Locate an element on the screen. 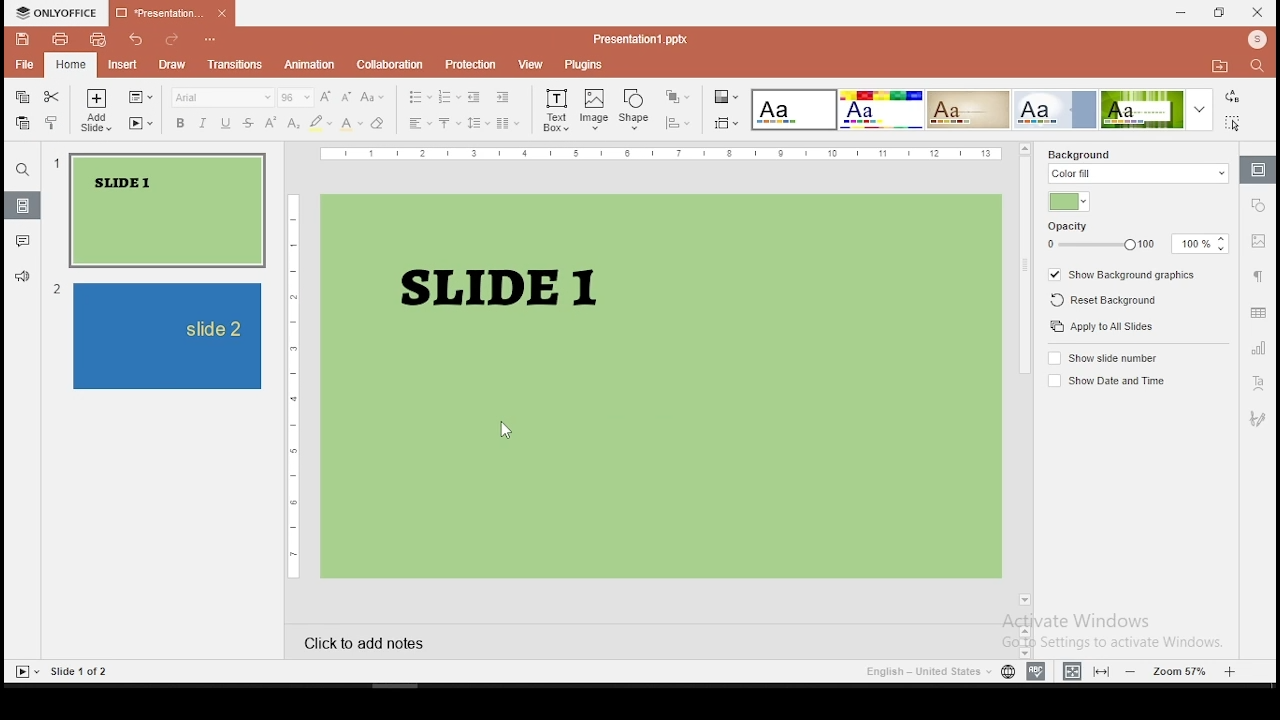  color fill is located at coordinates (1139, 174).